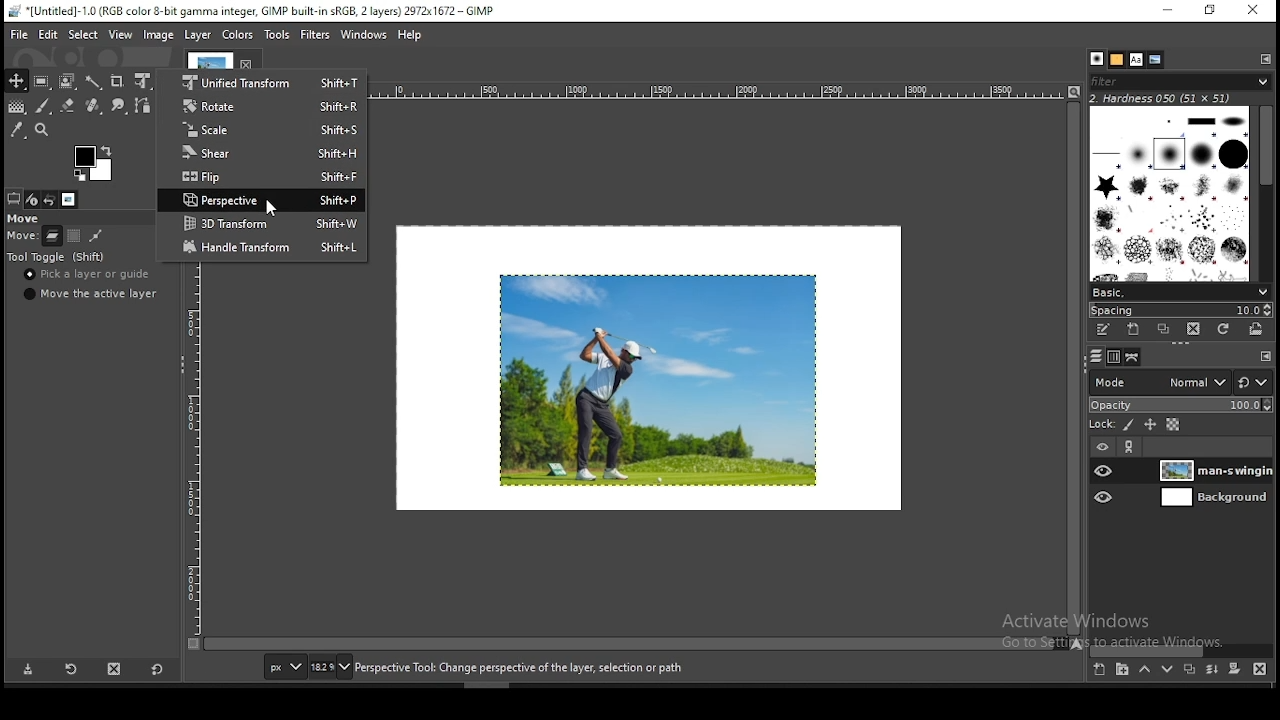 The image size is (1280, 720). Describe the element at coordinates (1131, 449) in the screenshot. I see `link` at that location.